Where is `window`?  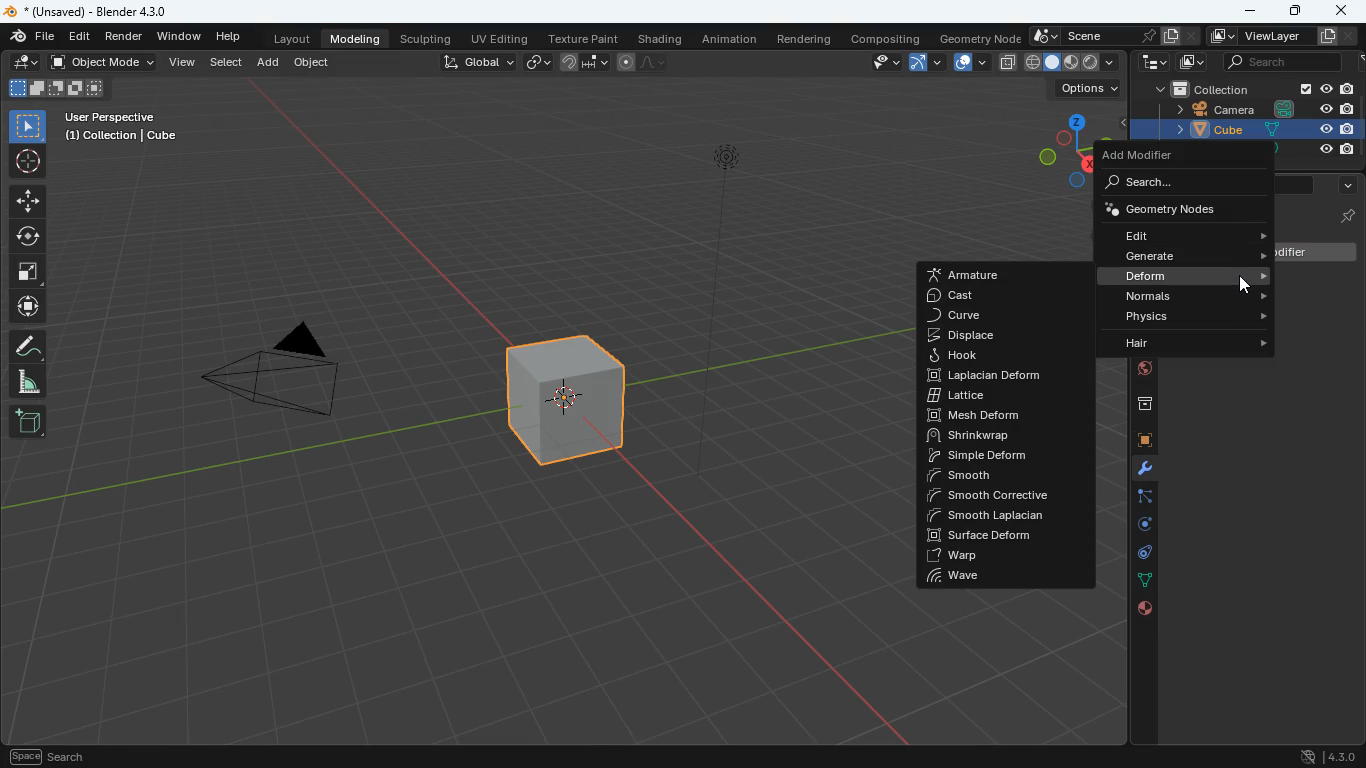
window is located at coordinates (180, 36).